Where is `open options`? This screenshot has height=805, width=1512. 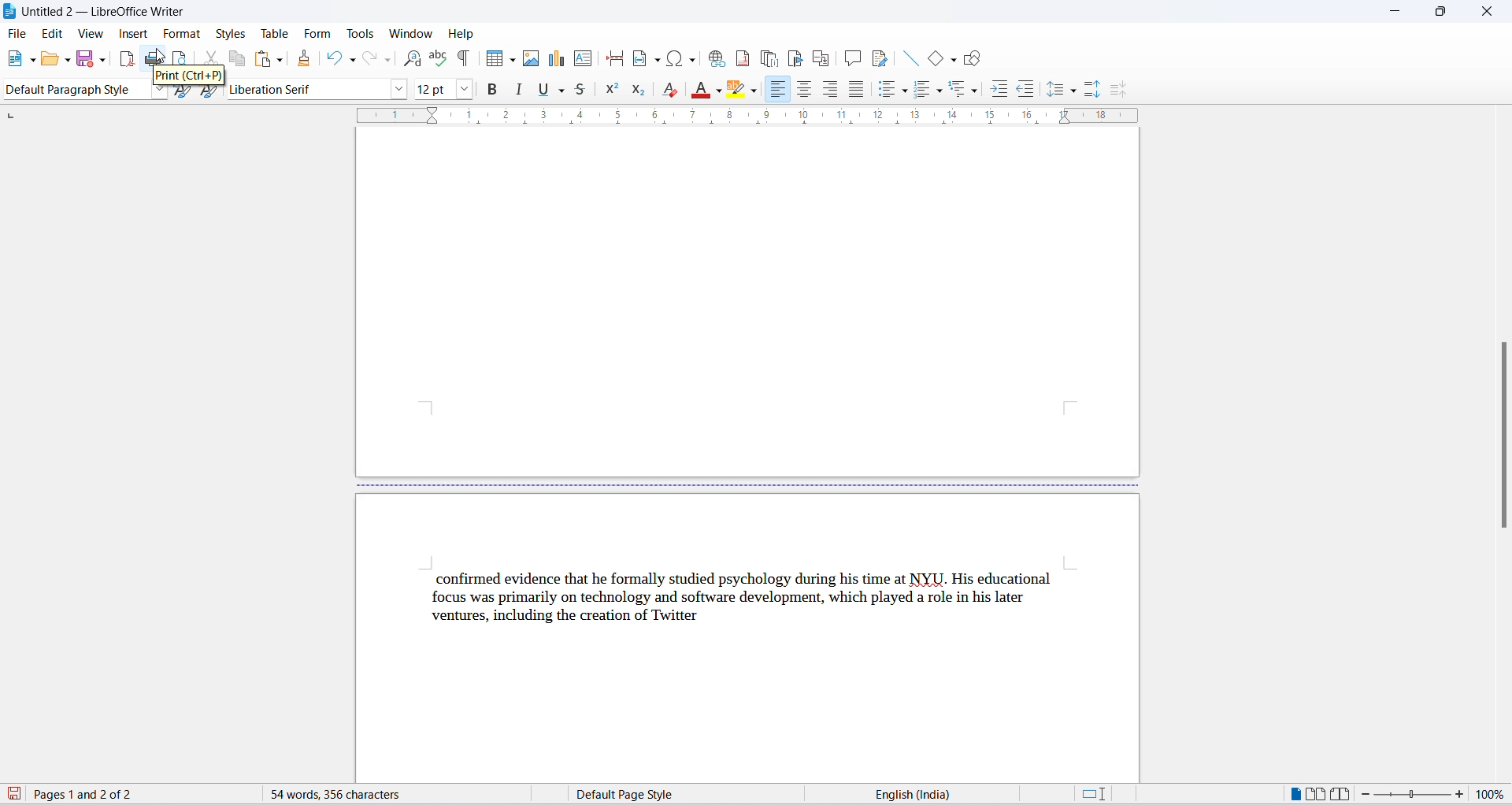
open options is located at coordinates (69, 60).